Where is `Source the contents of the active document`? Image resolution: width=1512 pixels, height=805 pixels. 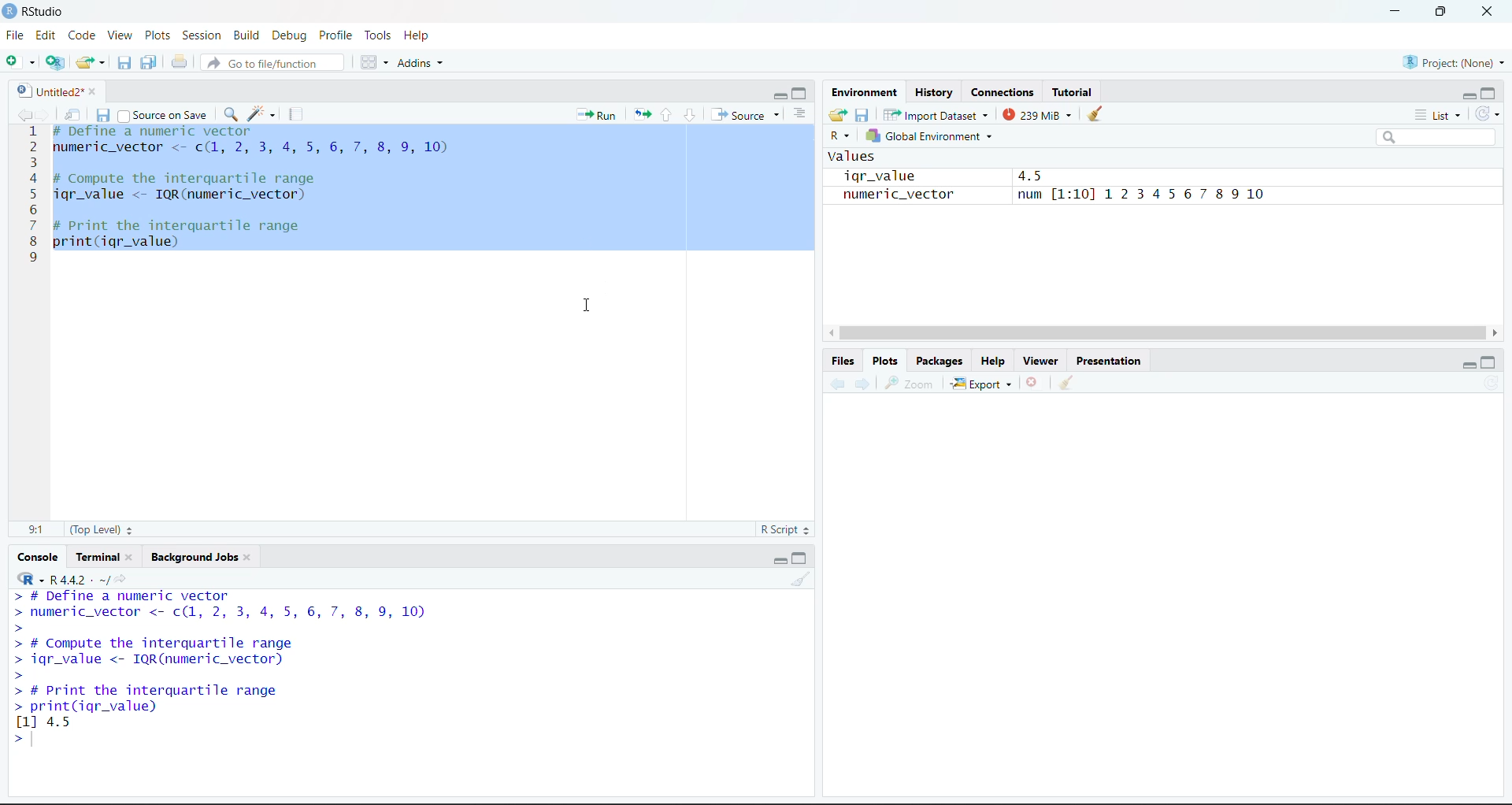
Source the contents of the active document is located at coordinates (747, 115).